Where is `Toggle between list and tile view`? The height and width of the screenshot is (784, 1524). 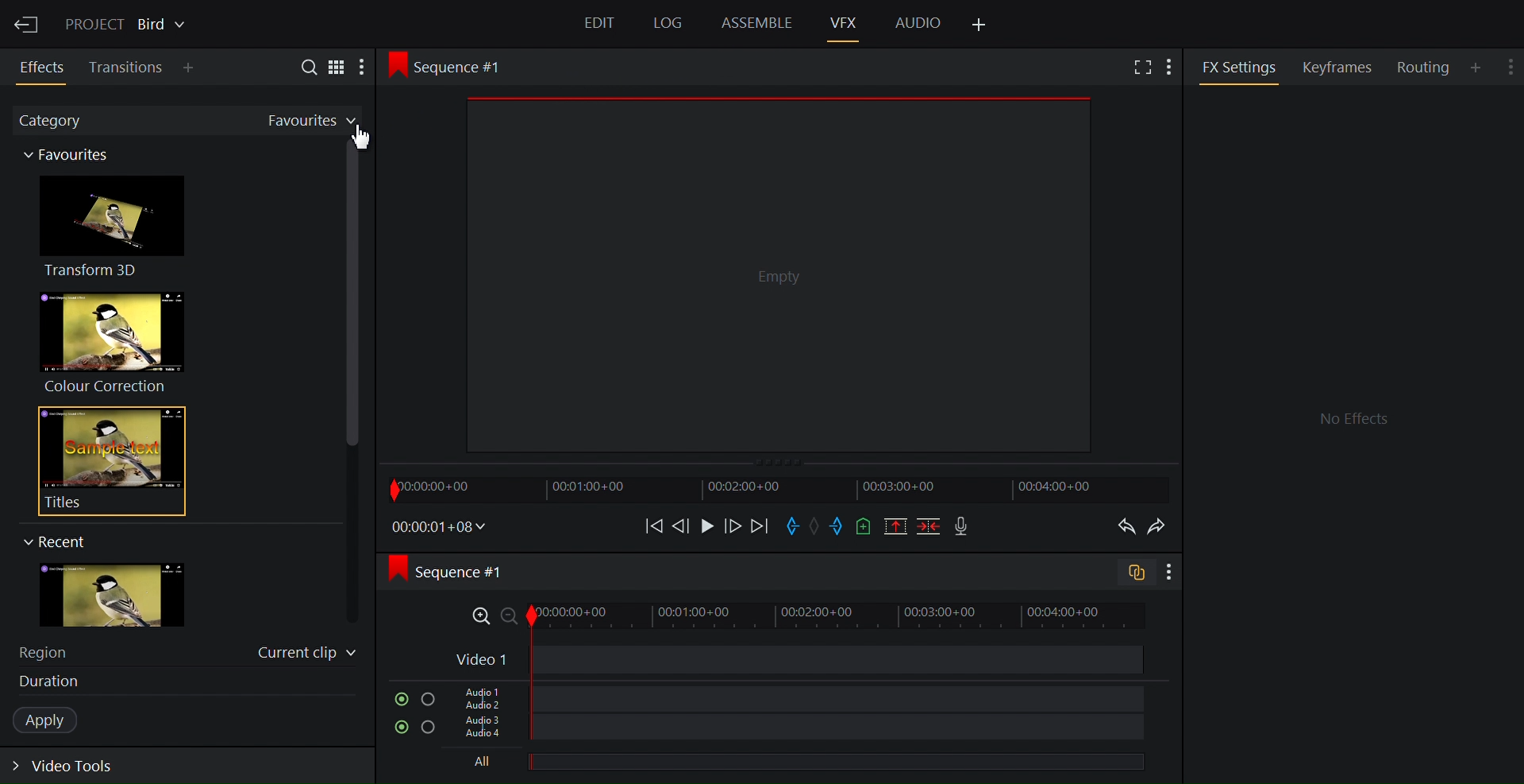 Toggle between list and tile view is located at coordinates (337, 66).